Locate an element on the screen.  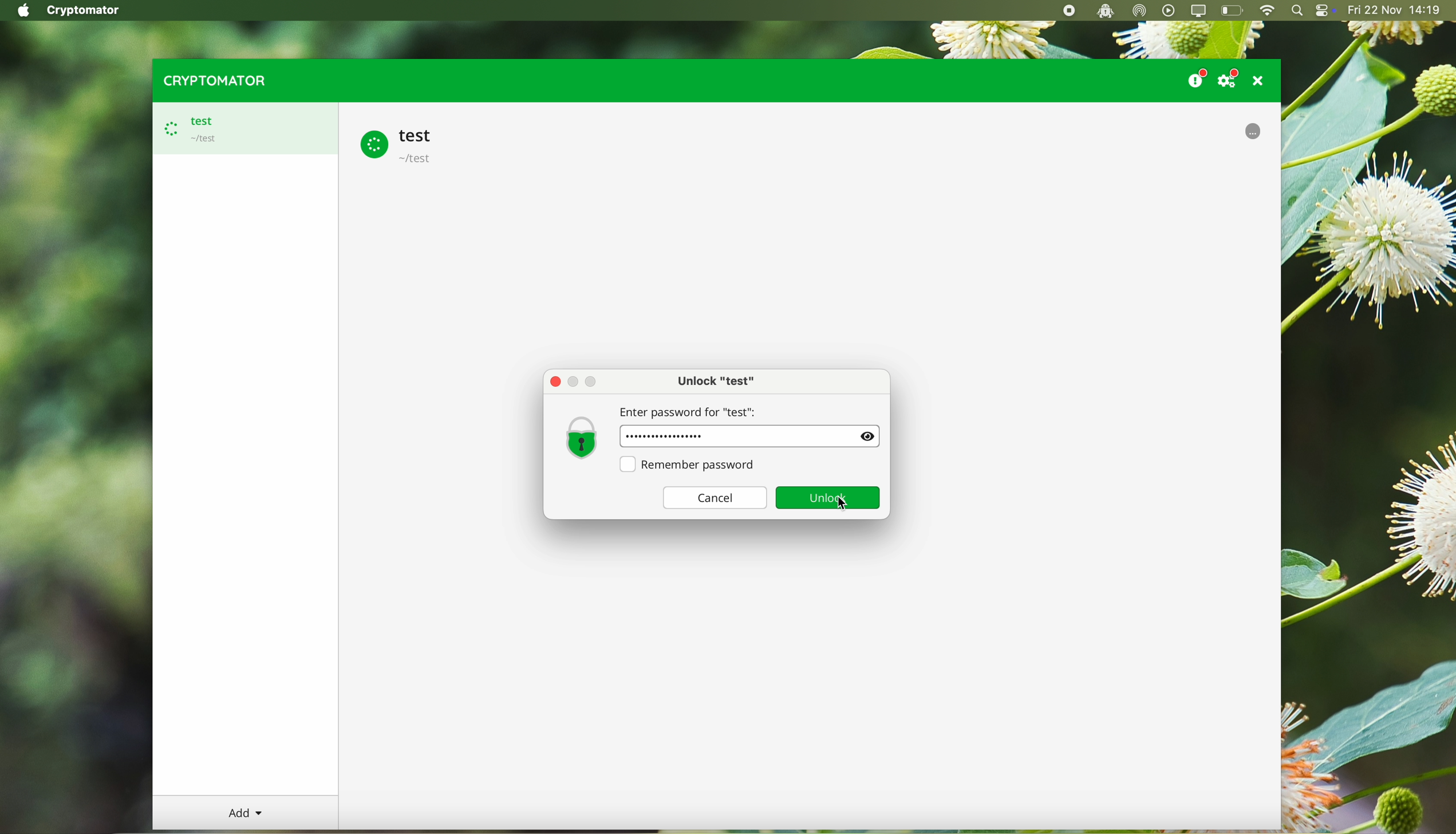
Maximize is located at coordinates (595, 382).